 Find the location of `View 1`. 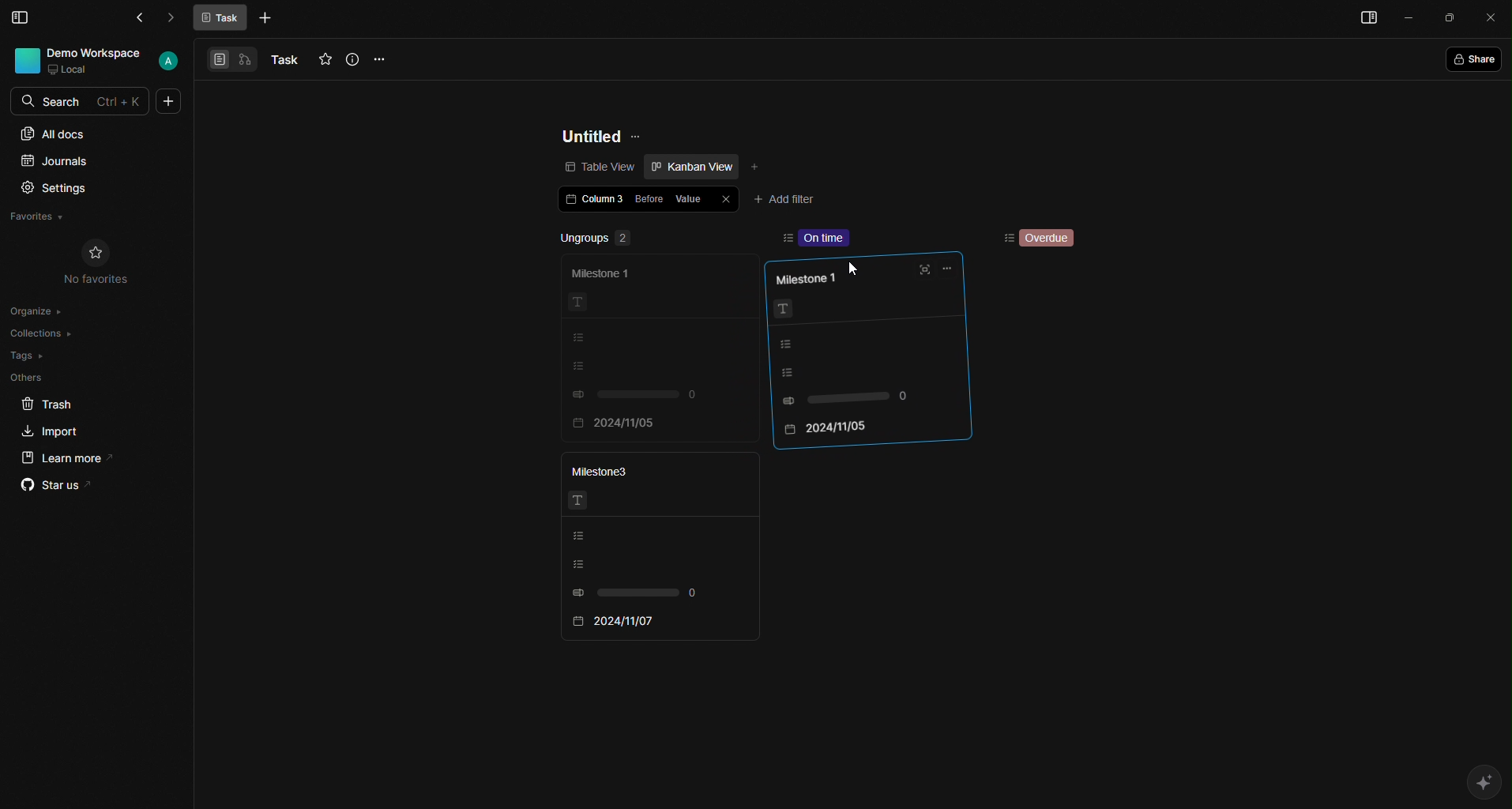

View 1 is located at coordinates (215, 58).